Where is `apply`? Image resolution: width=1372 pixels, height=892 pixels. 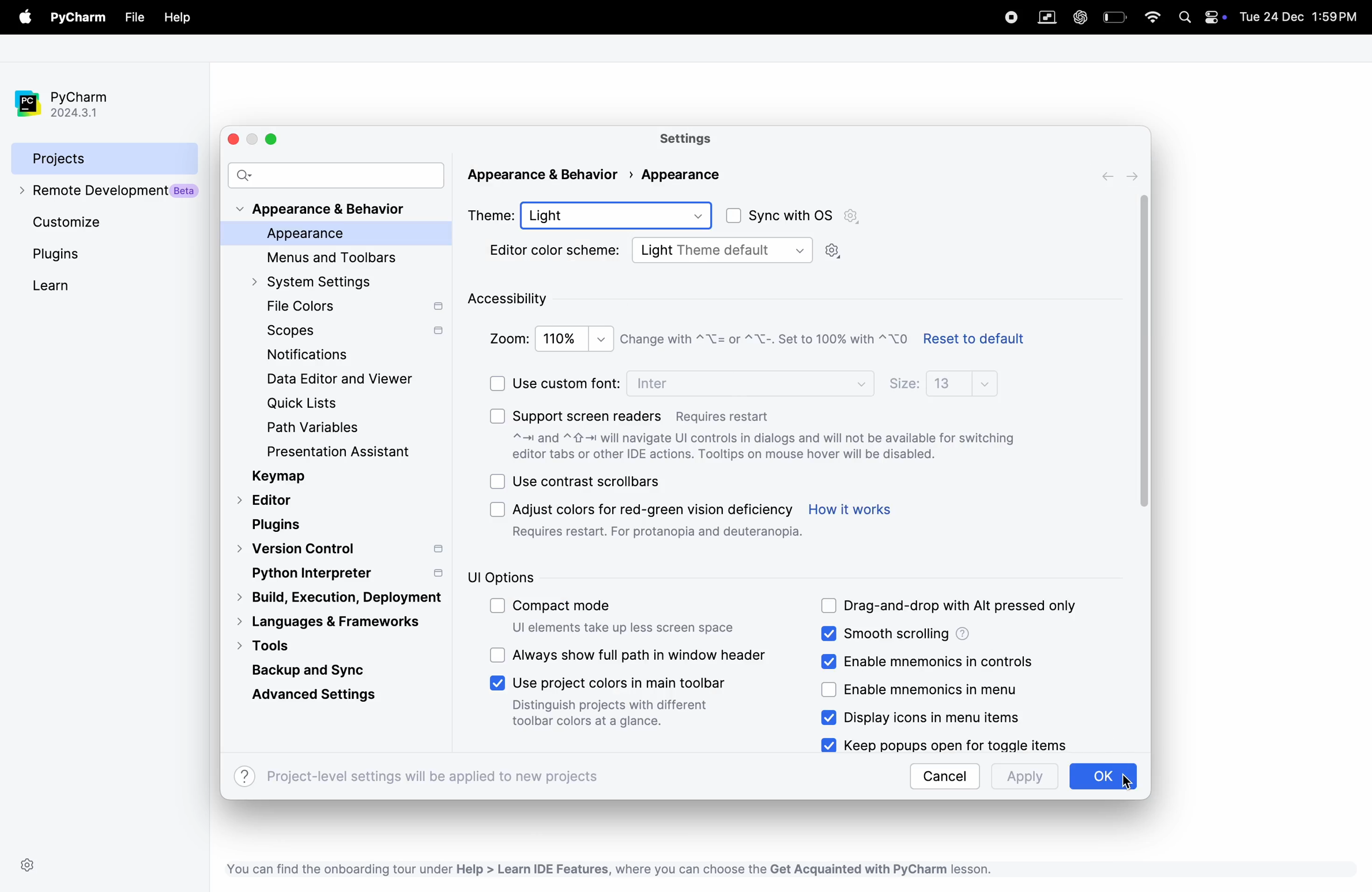
apply is located at coordinates (1022, 778).